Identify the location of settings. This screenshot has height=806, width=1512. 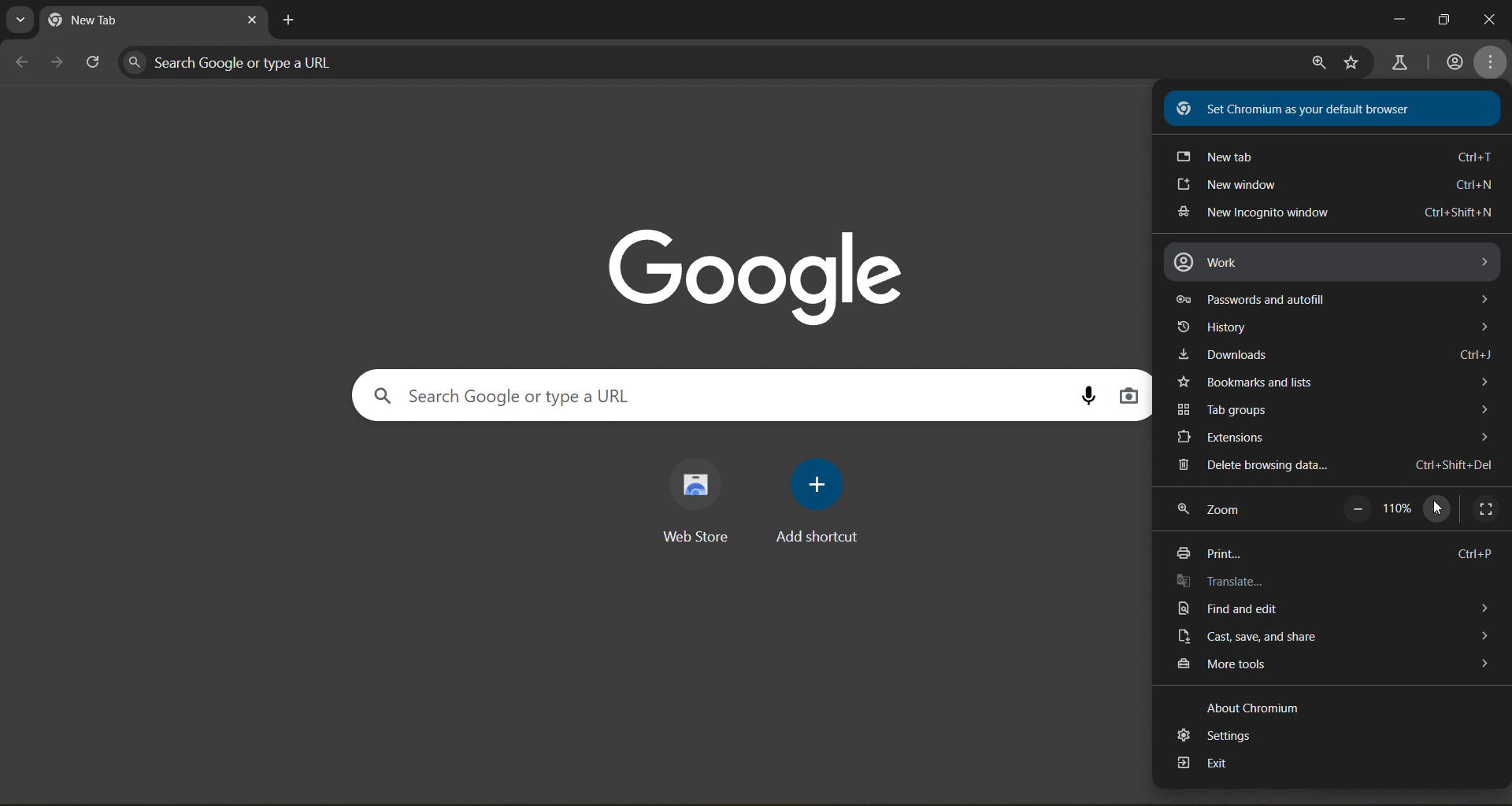
(1214, 736).